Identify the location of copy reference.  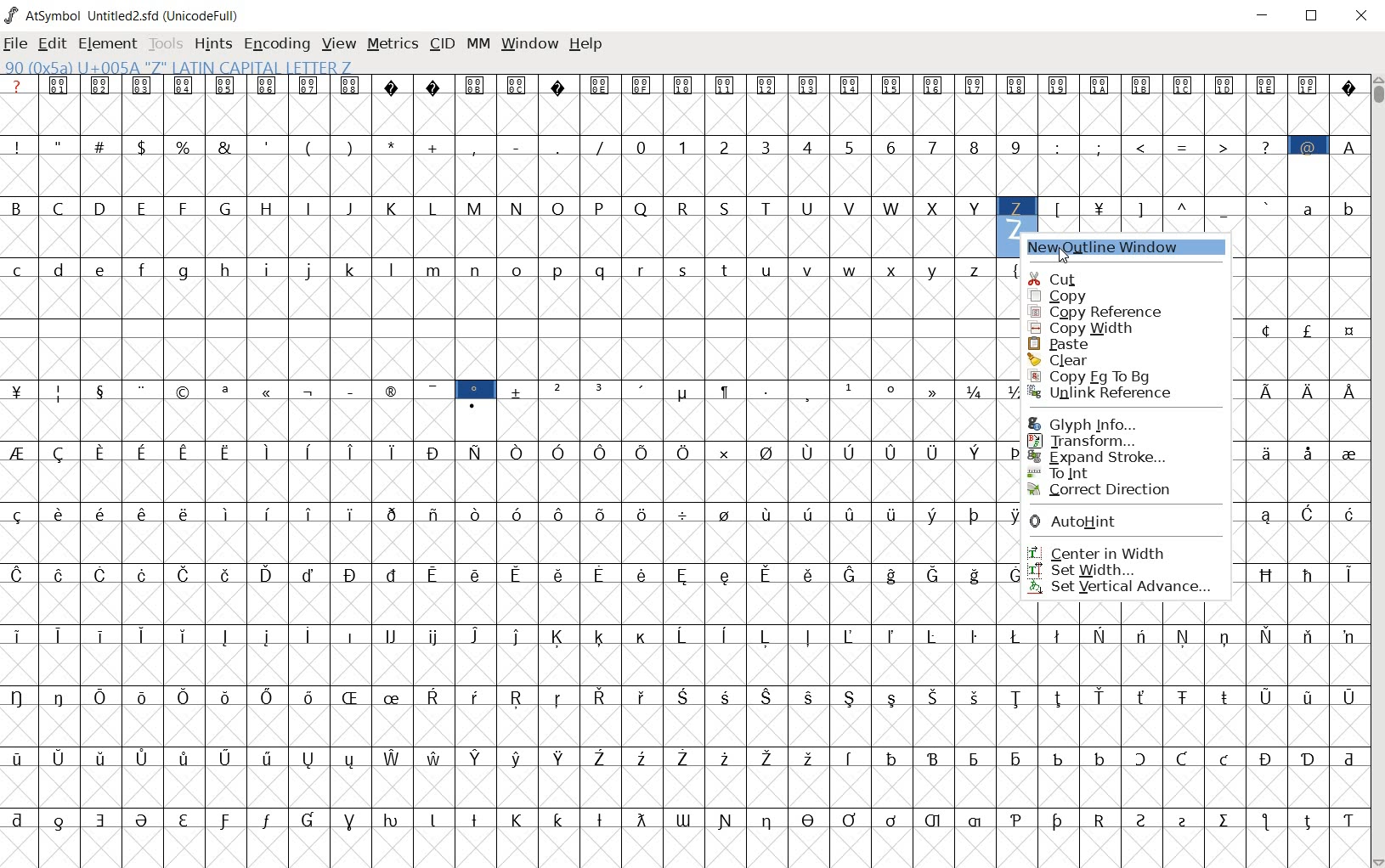
(1100, 313).